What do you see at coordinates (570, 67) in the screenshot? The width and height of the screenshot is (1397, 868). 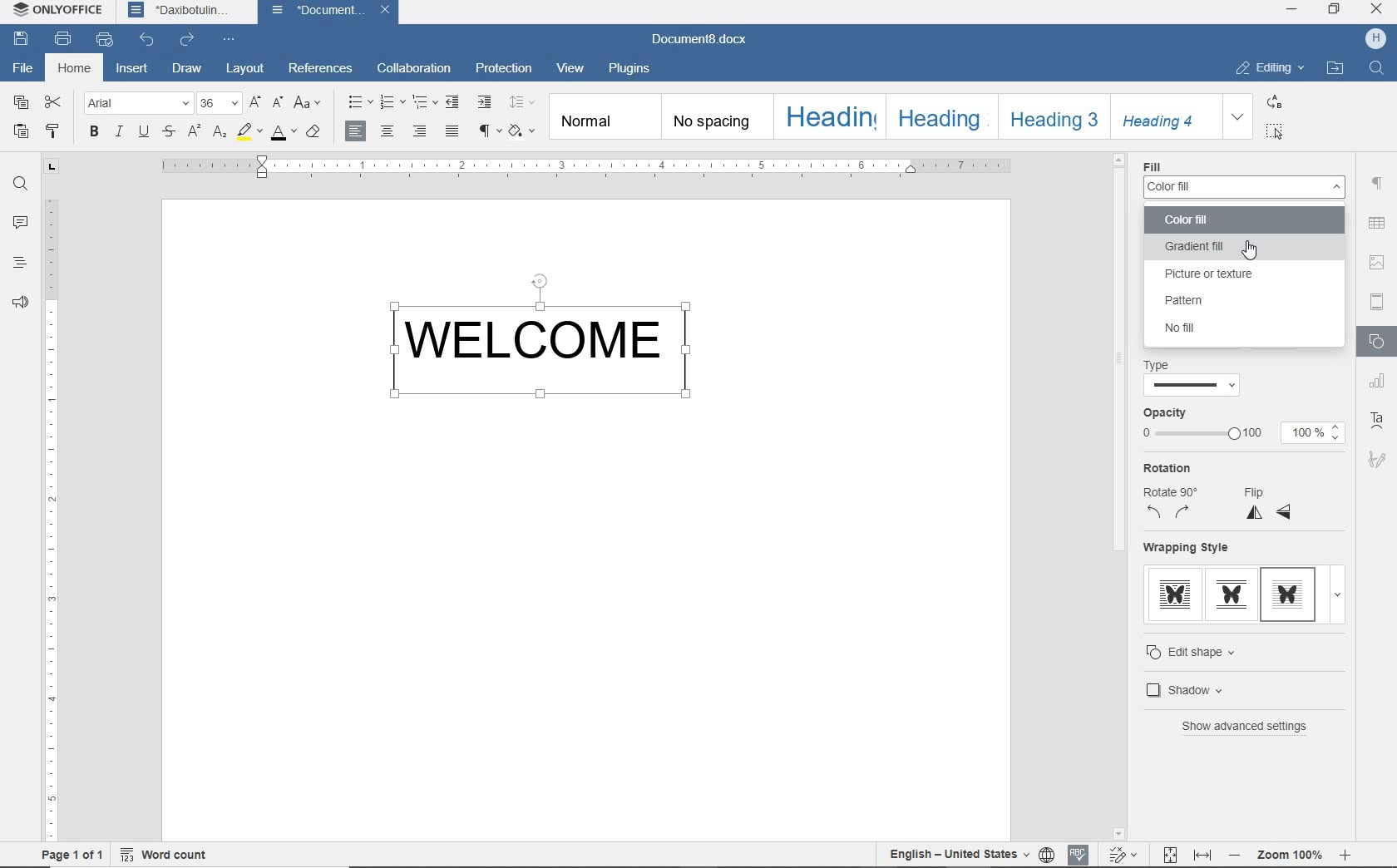 I see `VIEW` at bounding box center [570, 67].